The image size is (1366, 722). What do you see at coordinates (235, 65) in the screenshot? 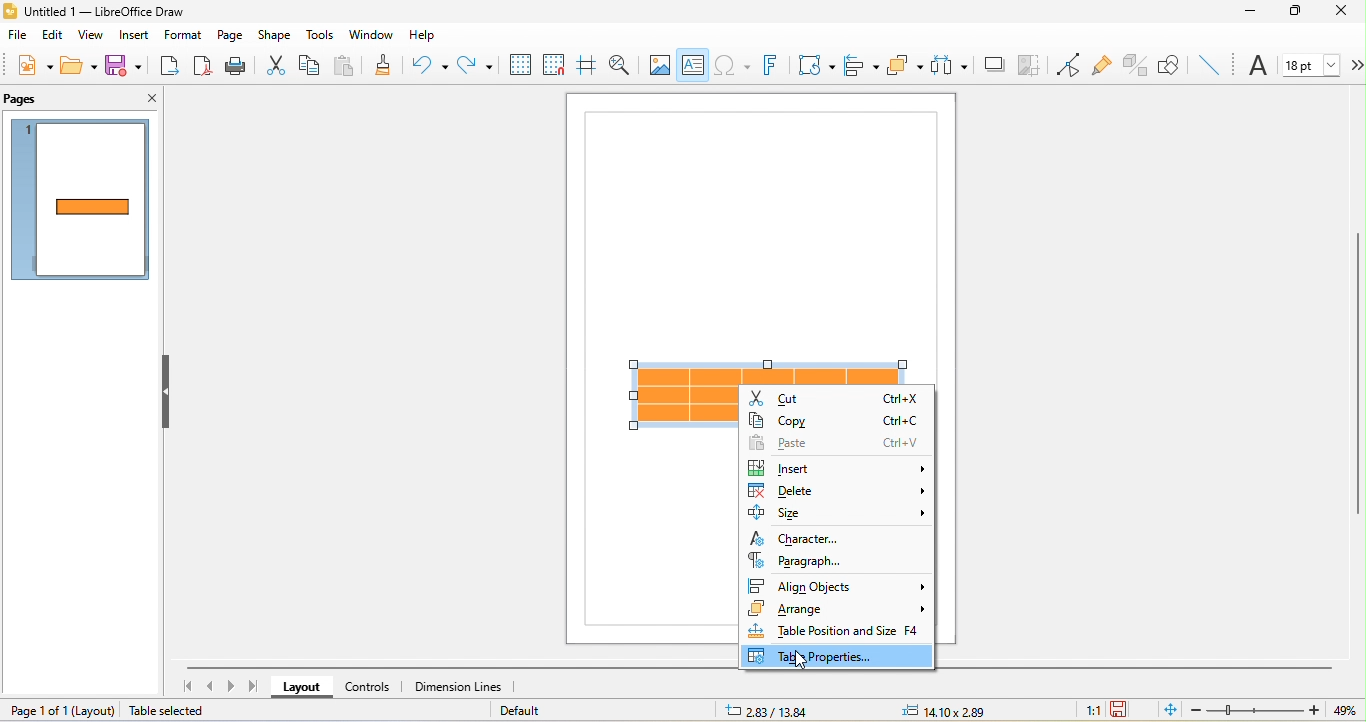
I see `print` at bounding box center [235, 65].